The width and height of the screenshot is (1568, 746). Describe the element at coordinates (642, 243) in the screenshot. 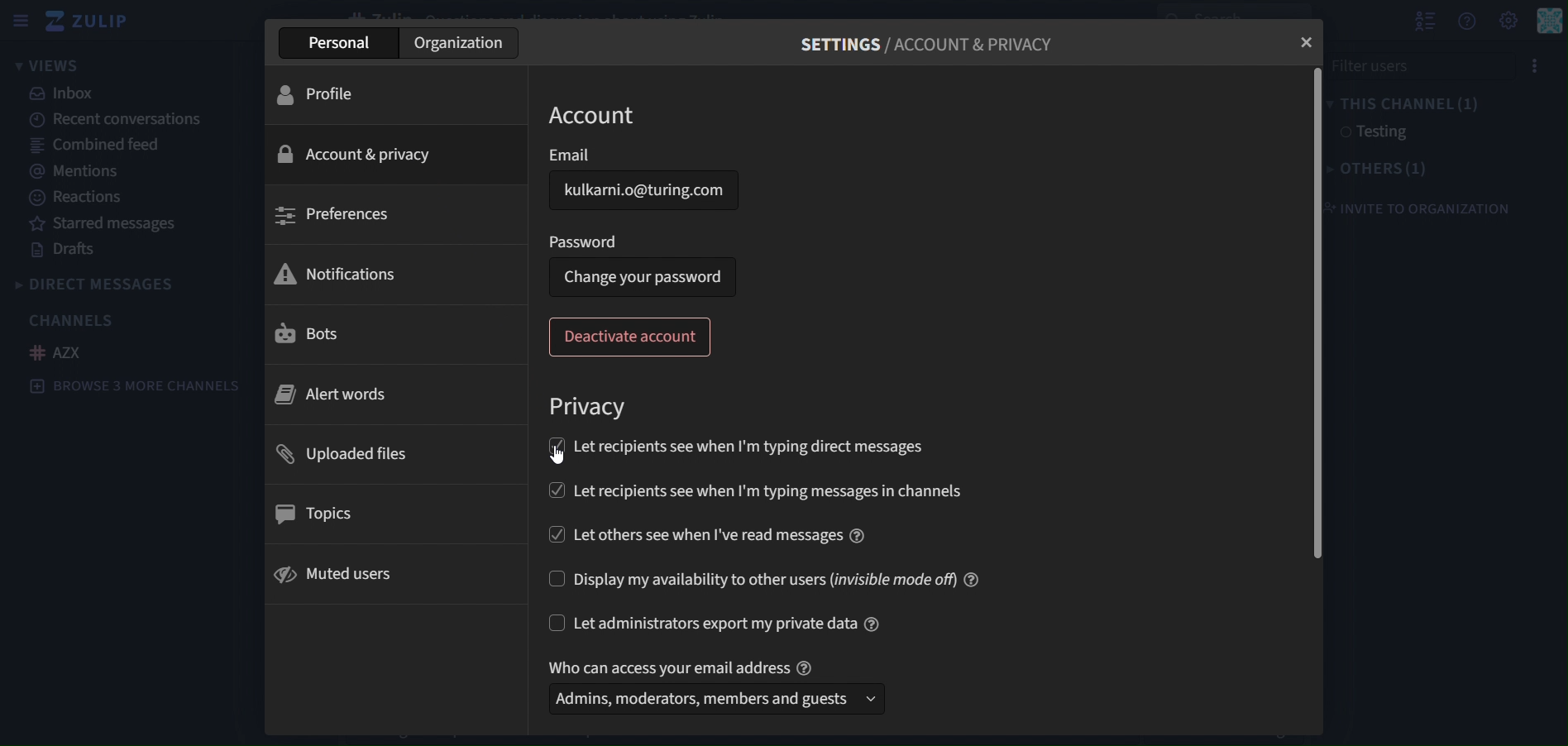

I see `Password` at that location.